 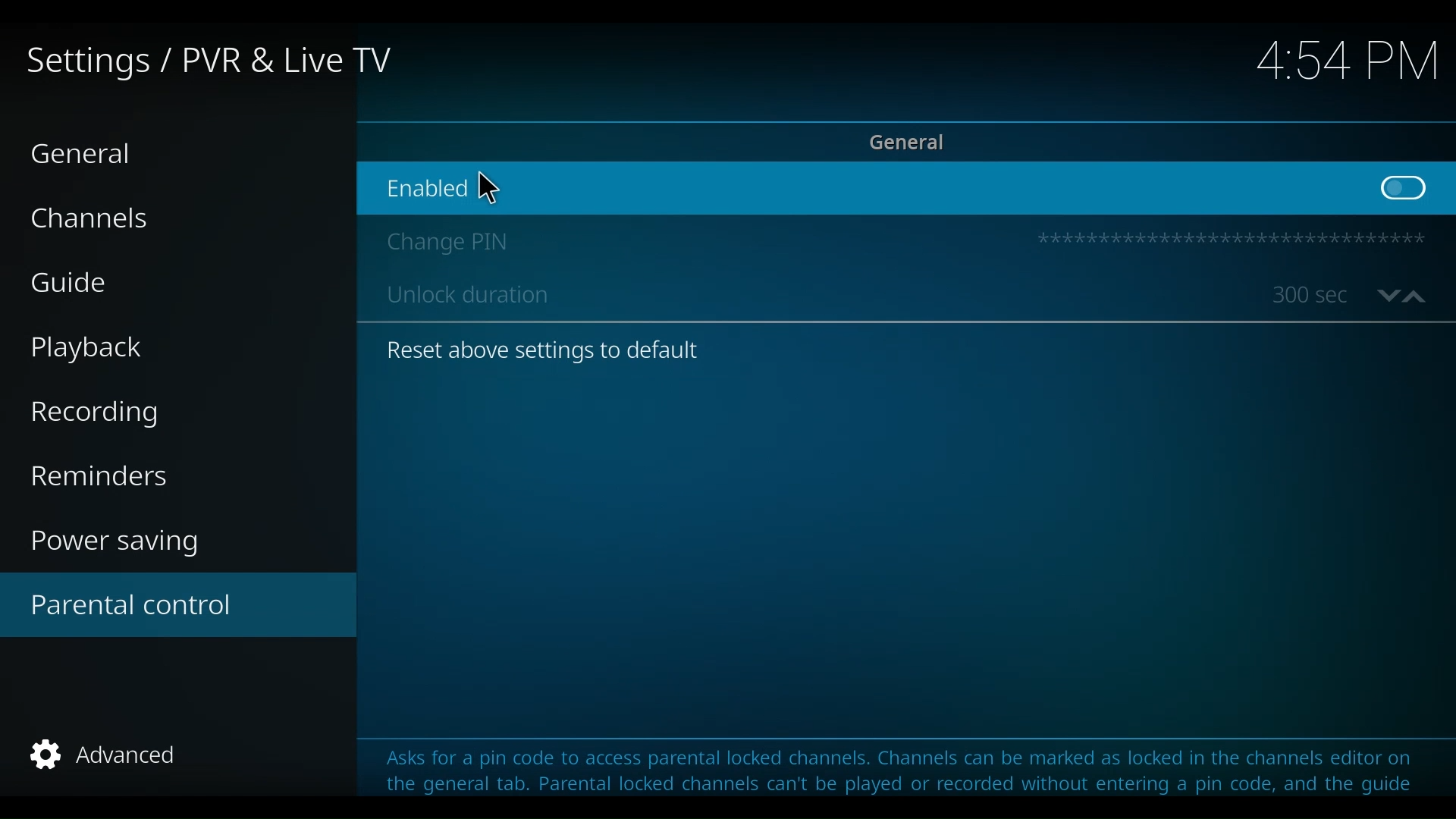 I want to click on General, so click(x=906, y=142).